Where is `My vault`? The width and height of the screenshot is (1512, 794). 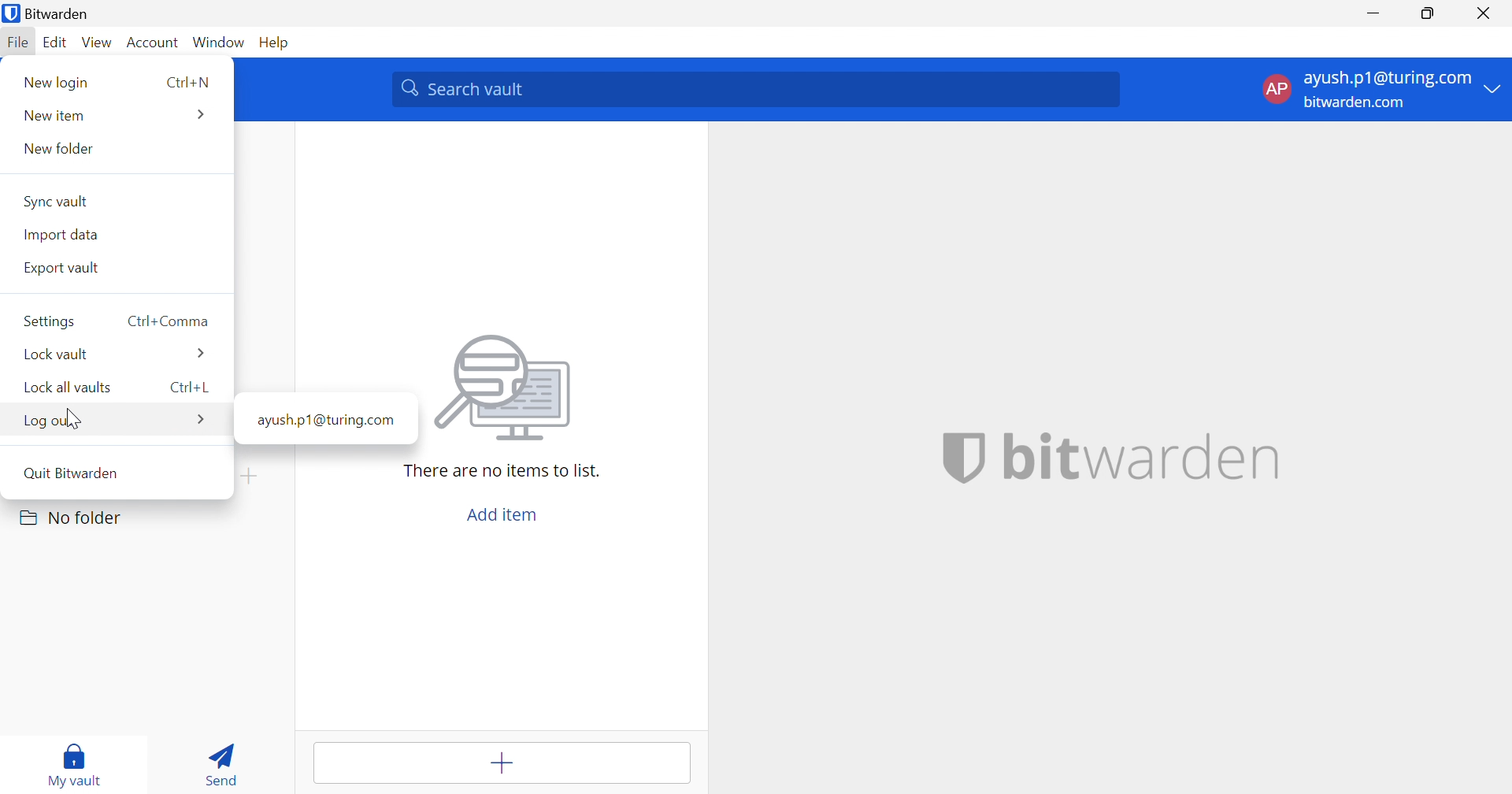 My vault is located at coordinates (76, 761).